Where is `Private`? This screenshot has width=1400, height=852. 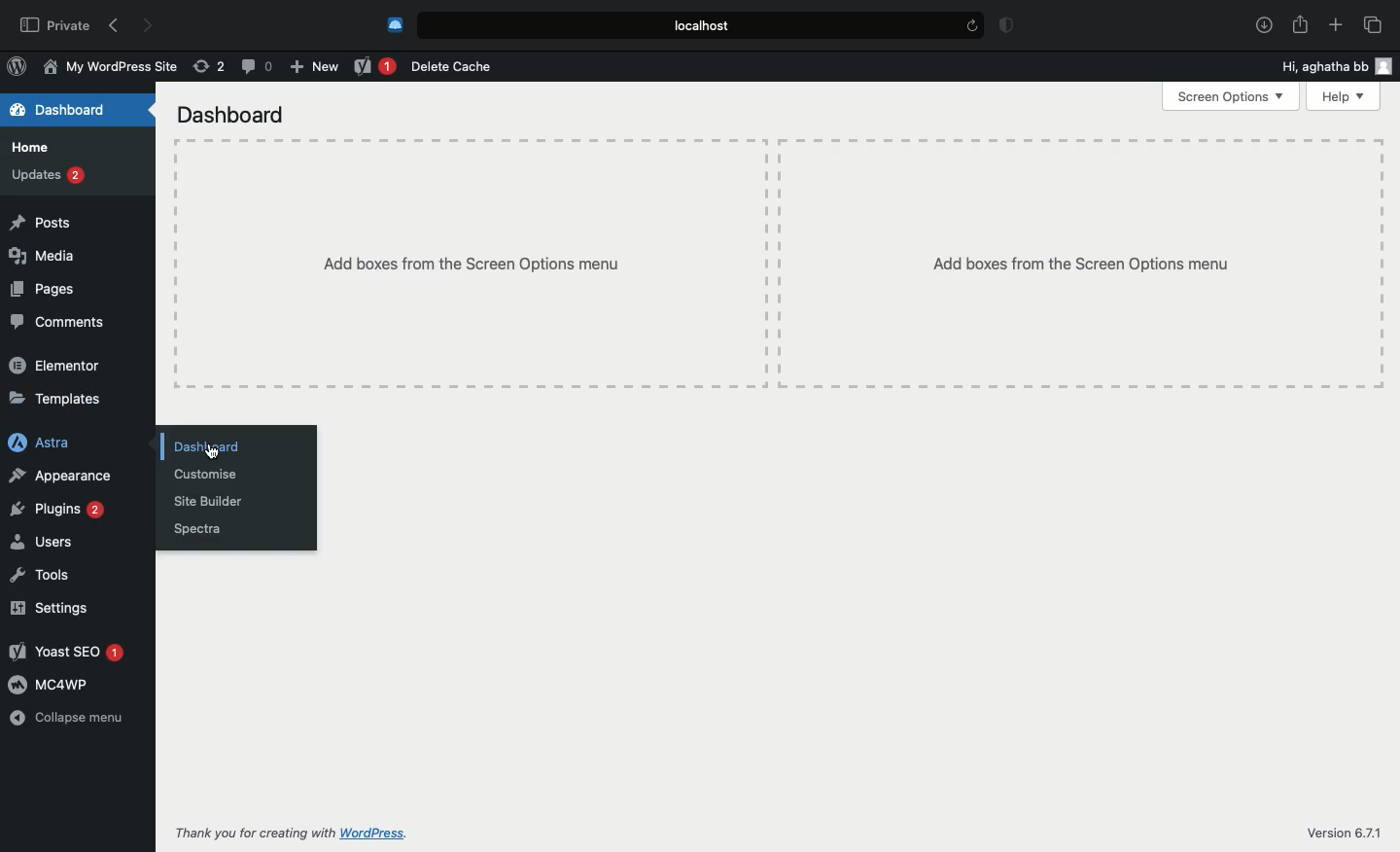 Private is located at coordinates (55, 24).